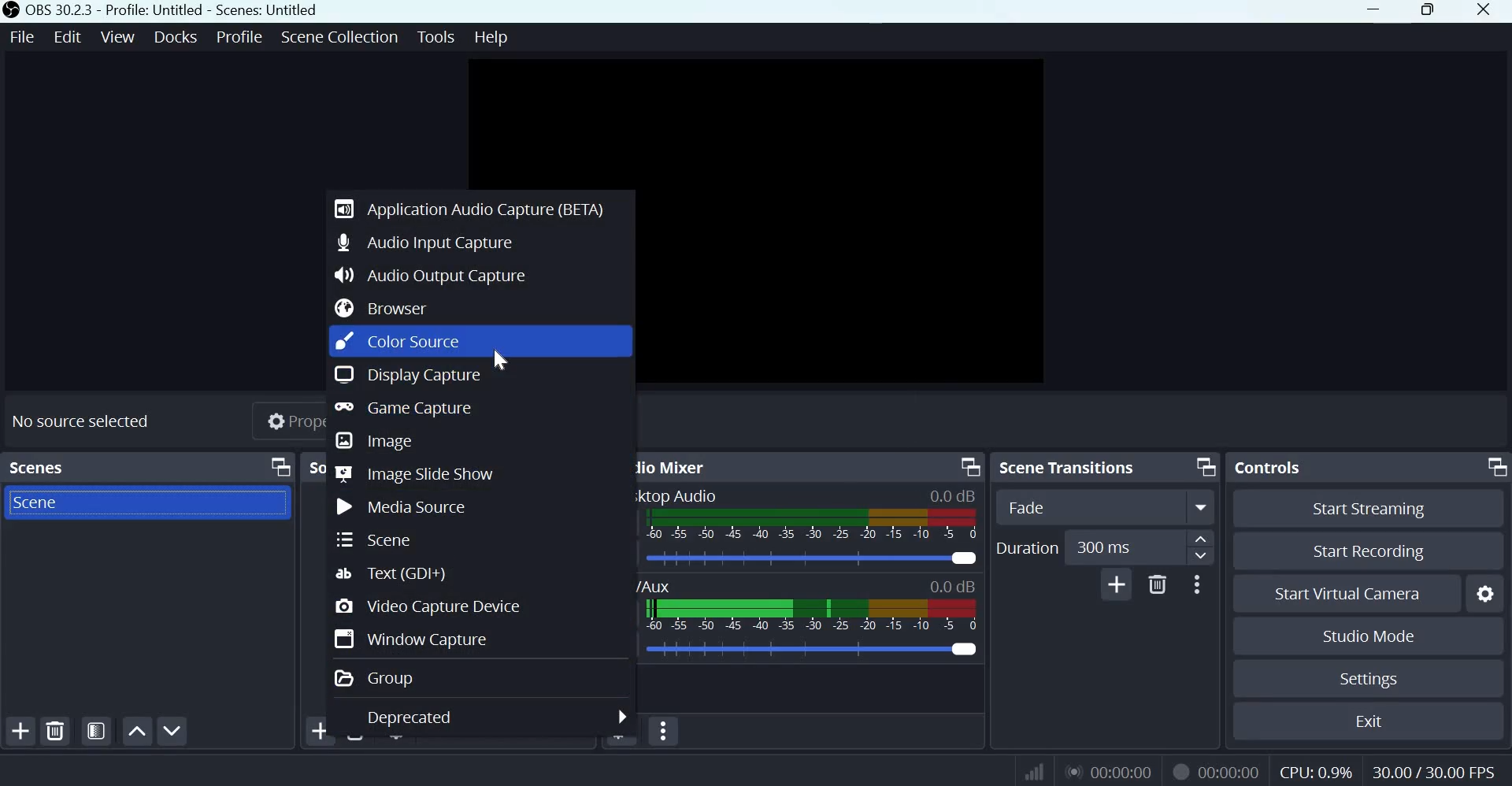 Image resolution: width=1512 pixels, height=786 pixels. What do you see at coordinates (136, 731) in the screenshot?
I see `Move scene up` at bounding box center [136, 731].